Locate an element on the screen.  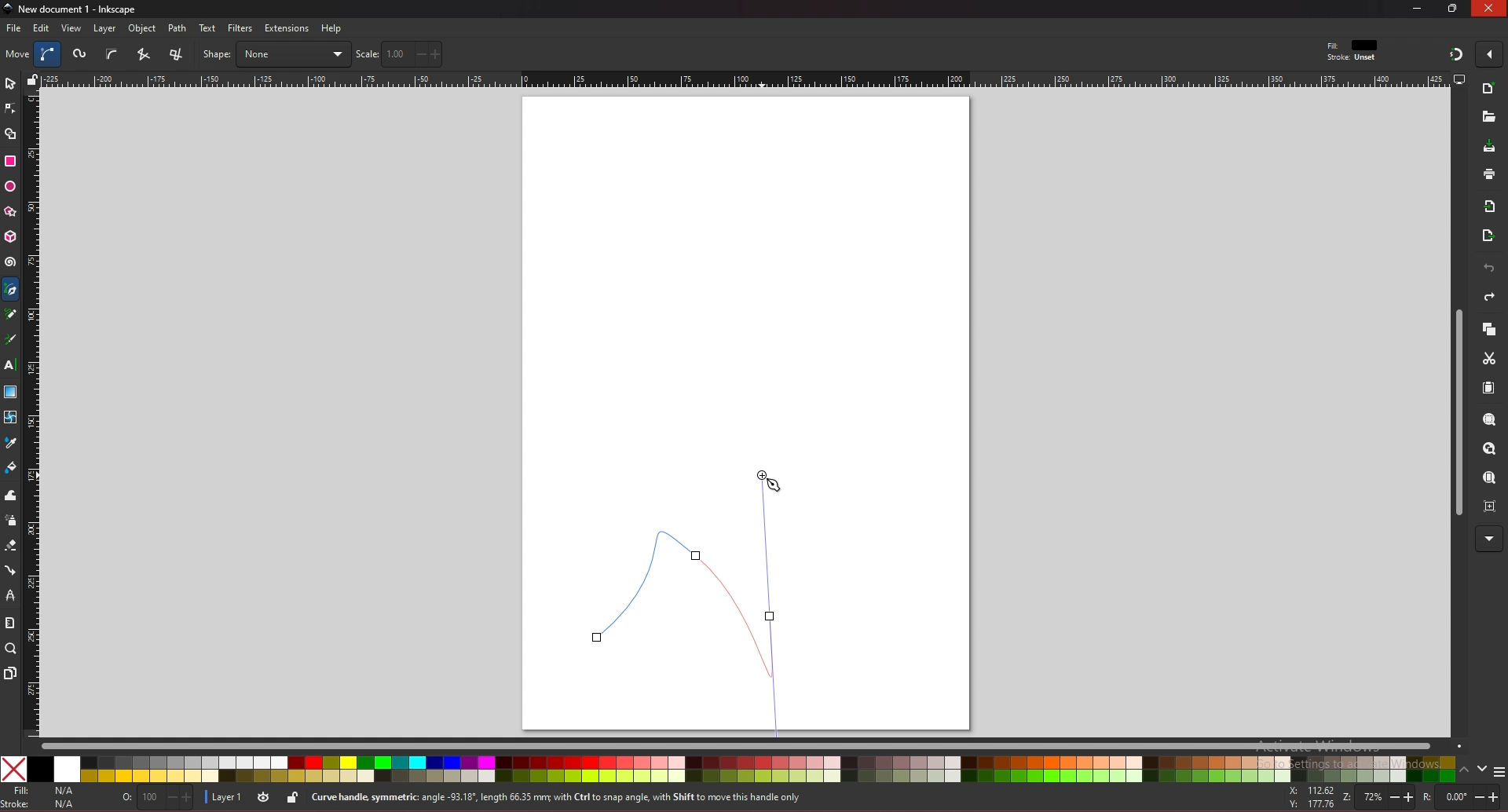
rotate is located at coordinates (1463, 797).